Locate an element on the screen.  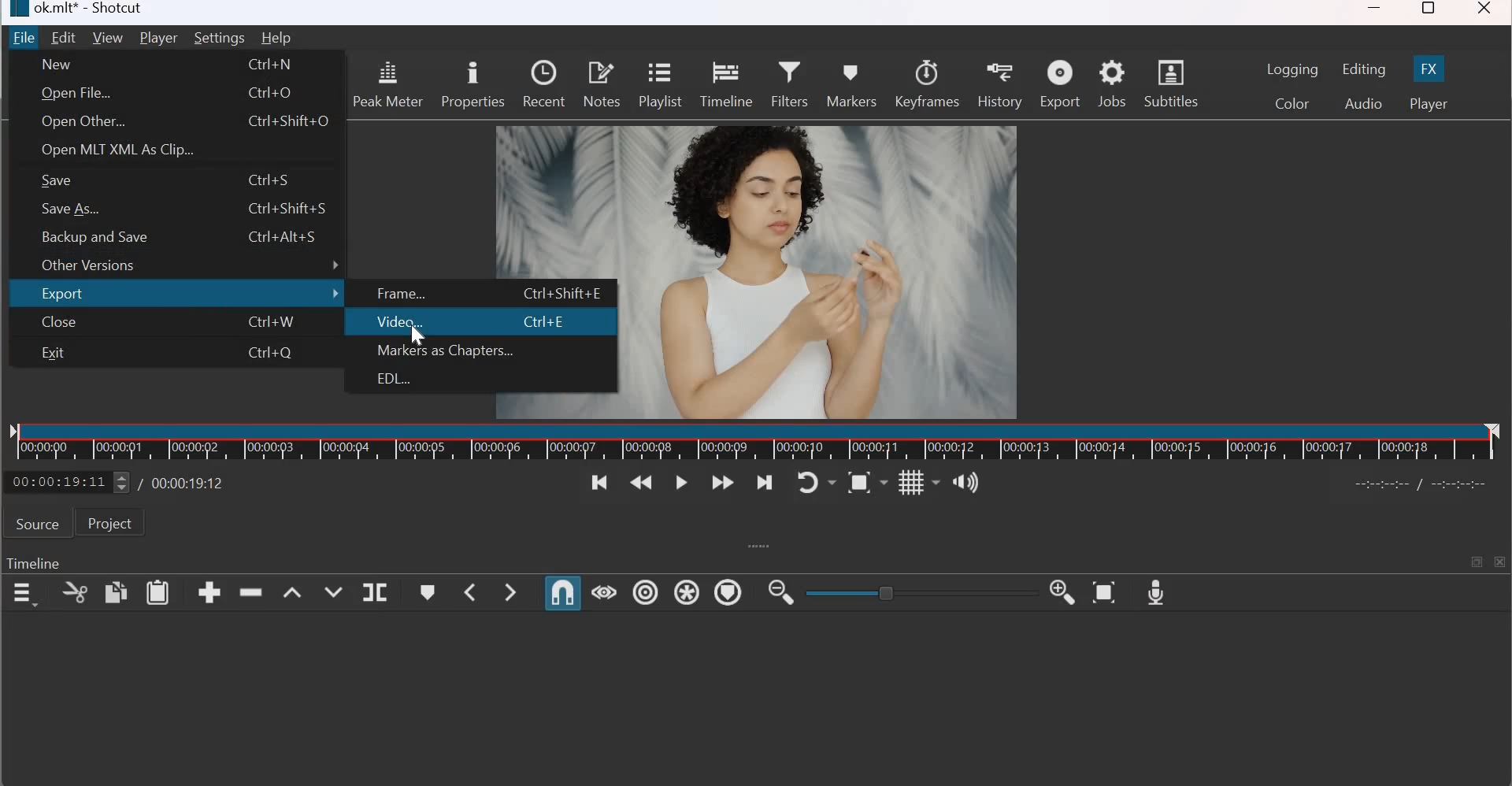
Skip to the previous point is located at coordinates (597, 483).